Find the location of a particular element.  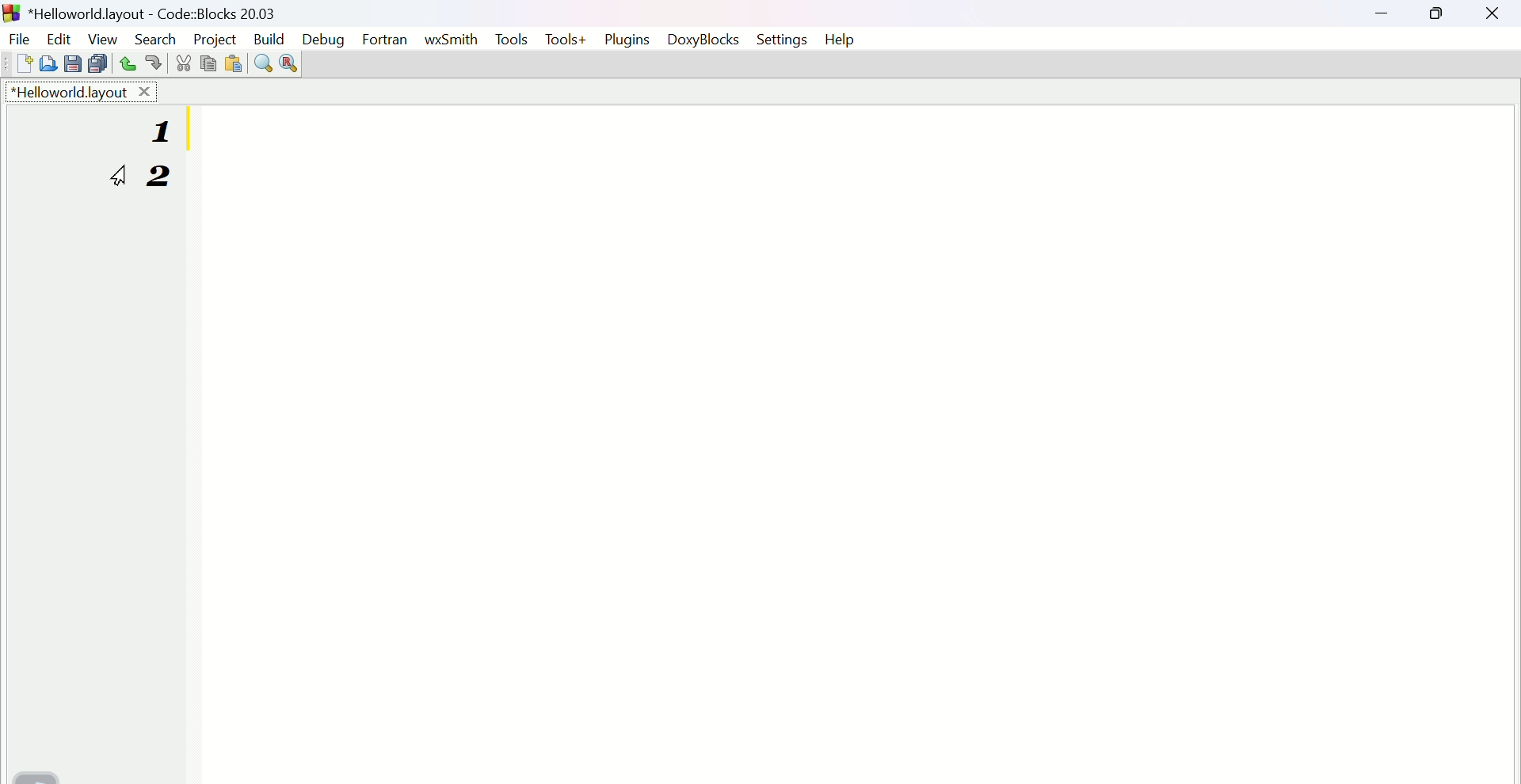

minimise is located at coordinates (1387, 16).